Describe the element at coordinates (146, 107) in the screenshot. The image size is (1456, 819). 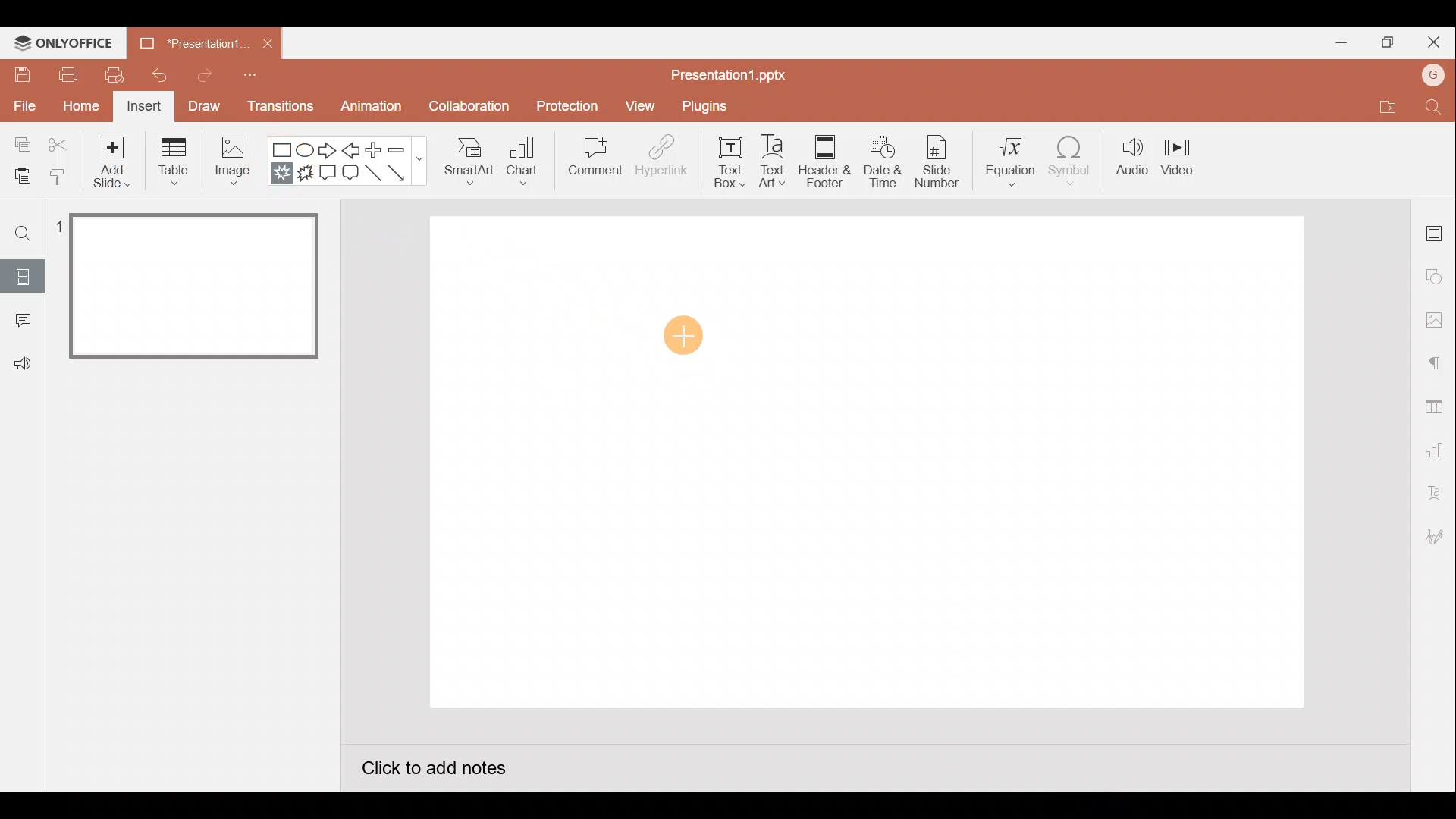
I see `Insert` at that location.